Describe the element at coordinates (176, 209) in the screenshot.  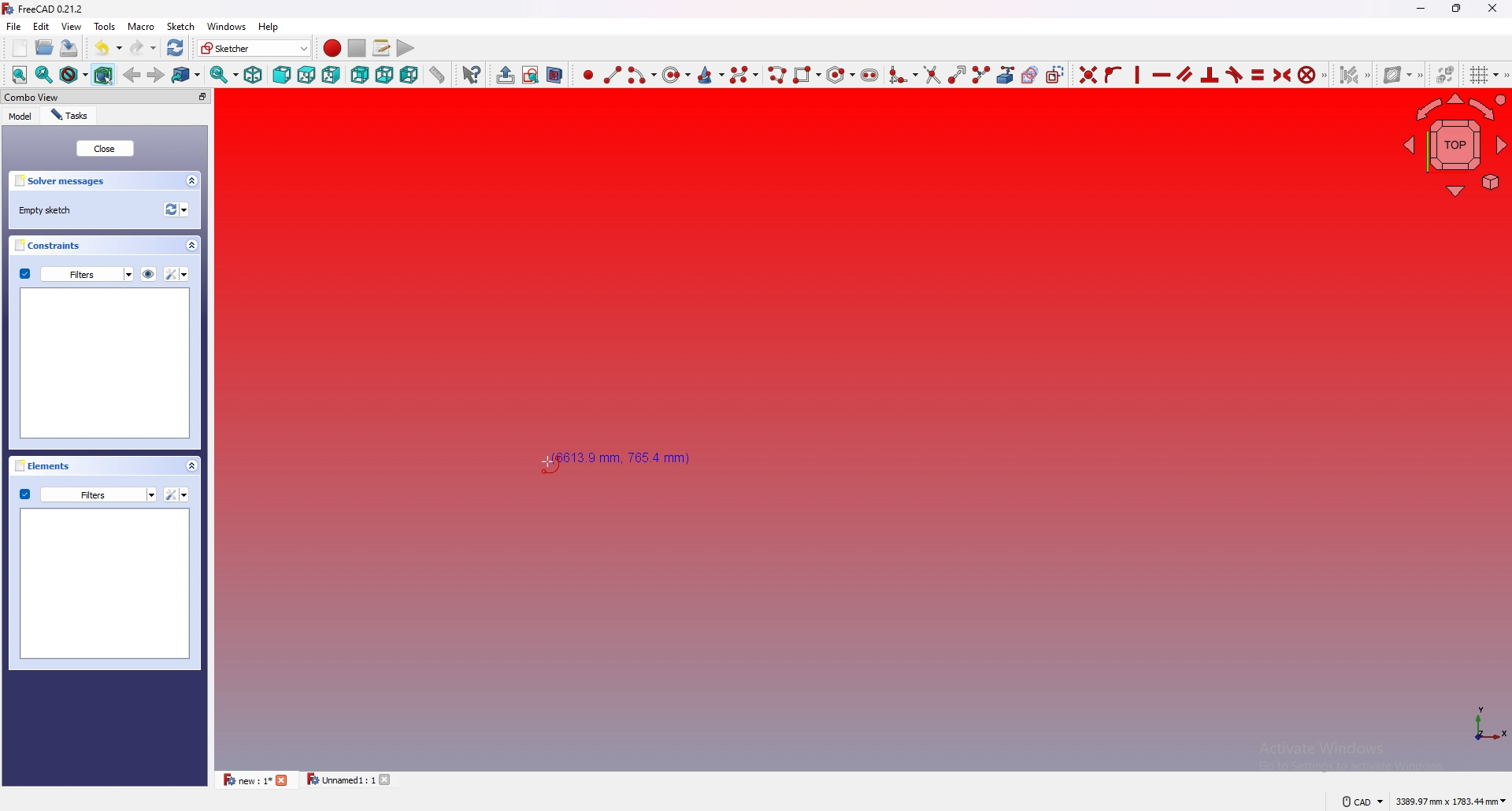
I see `recomputation of active document` at that location.